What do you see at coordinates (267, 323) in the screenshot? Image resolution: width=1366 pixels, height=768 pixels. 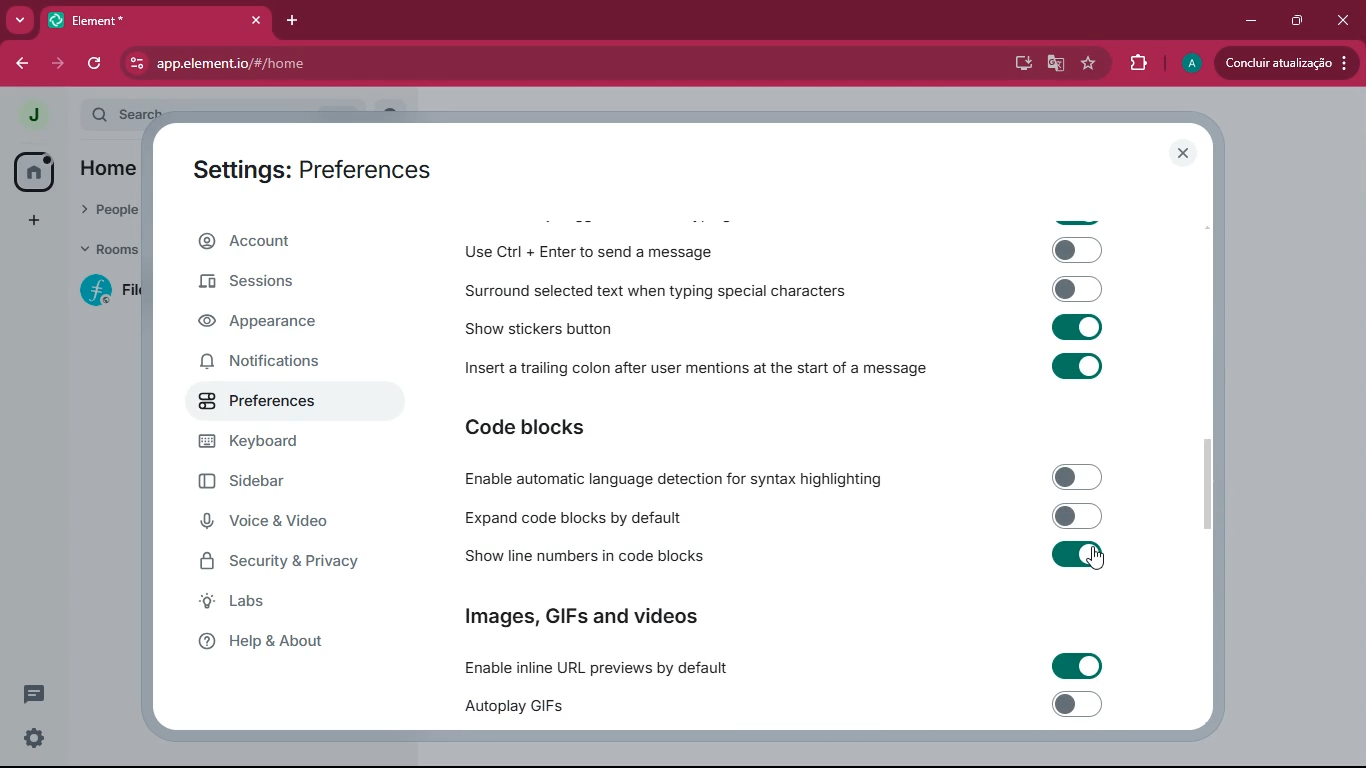 I see `appearance` at bounding box center [267, 323].